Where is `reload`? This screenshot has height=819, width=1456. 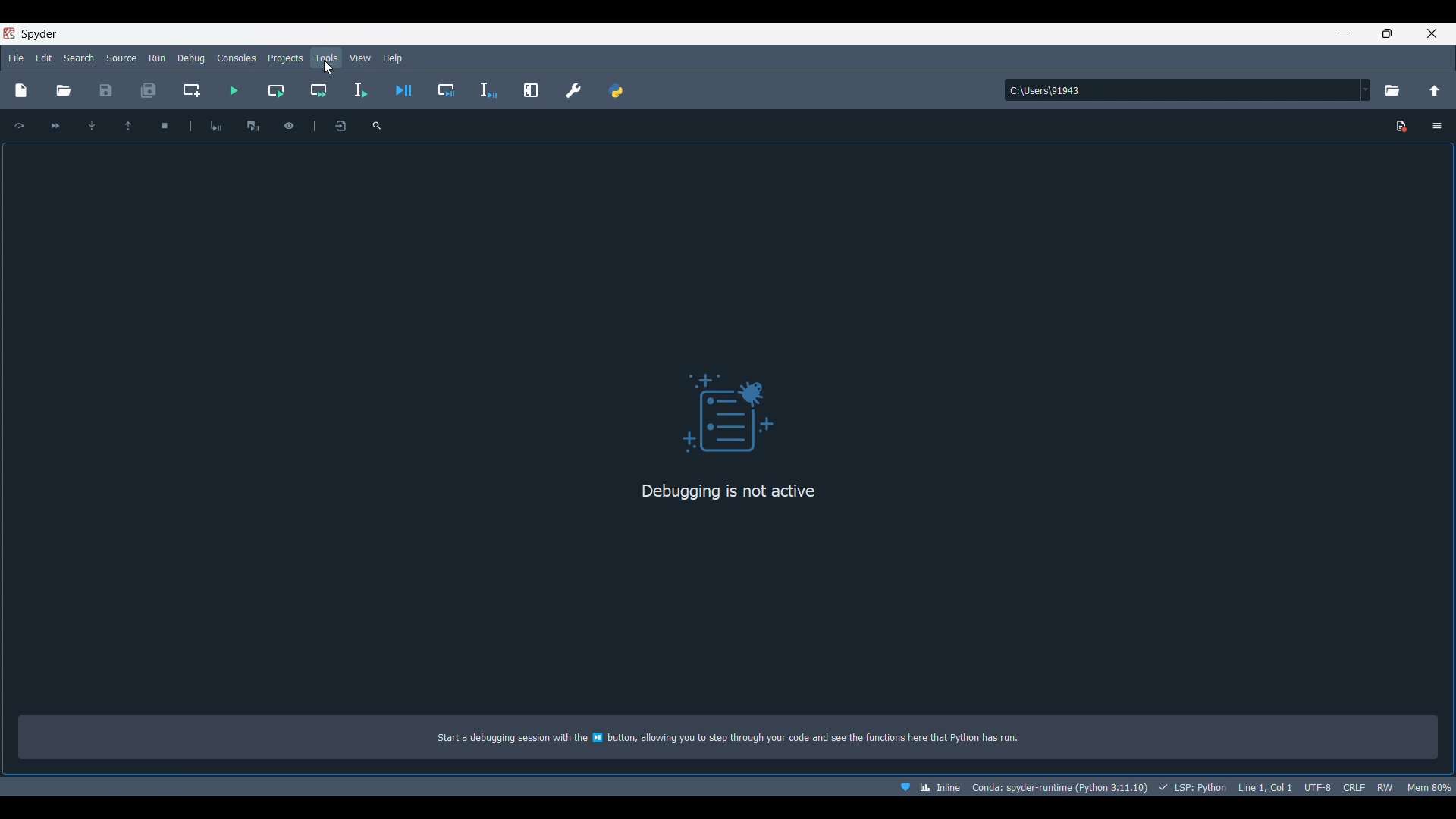 reload is located at coordinates (20, 124).